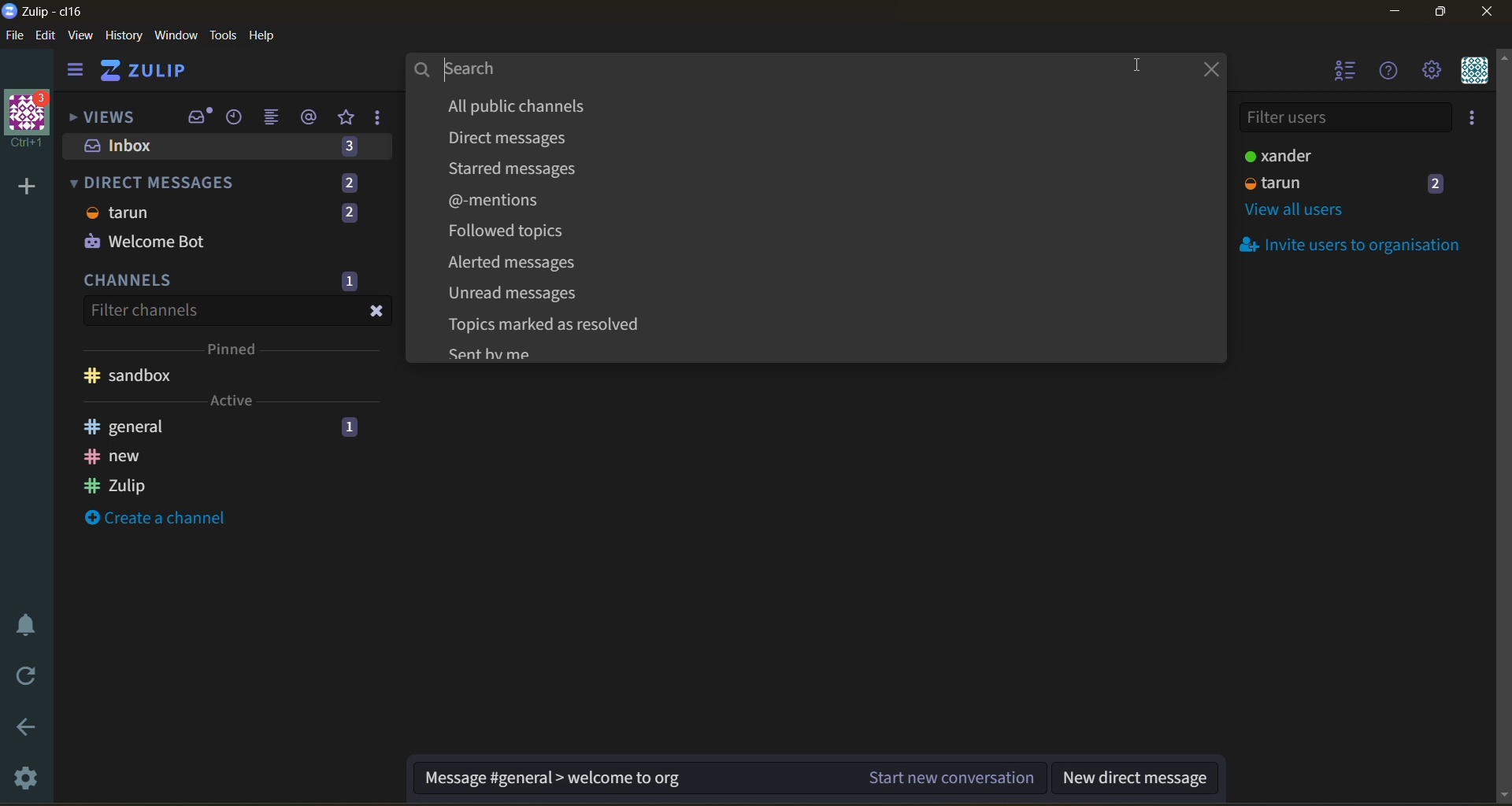  Describe the element at coordinates (124, 35) in the screenshot. I see `history` at that location.